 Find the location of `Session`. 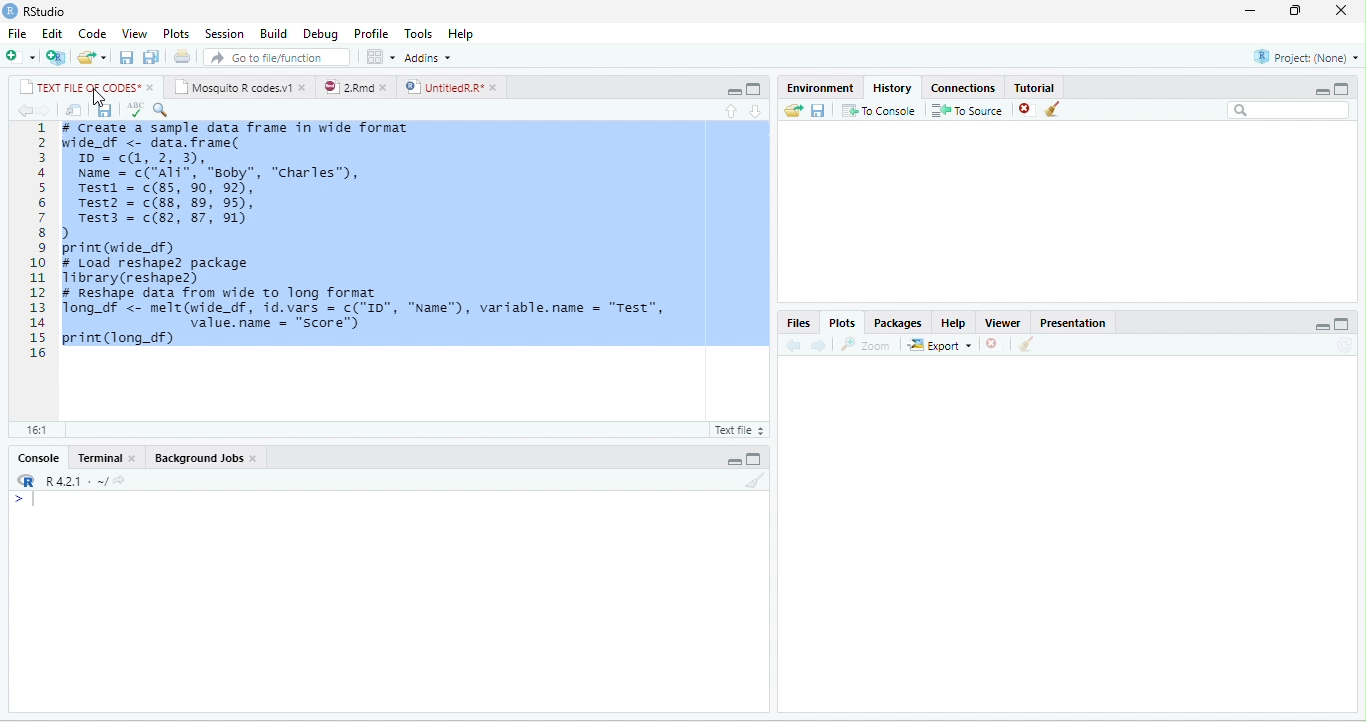

Session is located at coordinates (225, 34).